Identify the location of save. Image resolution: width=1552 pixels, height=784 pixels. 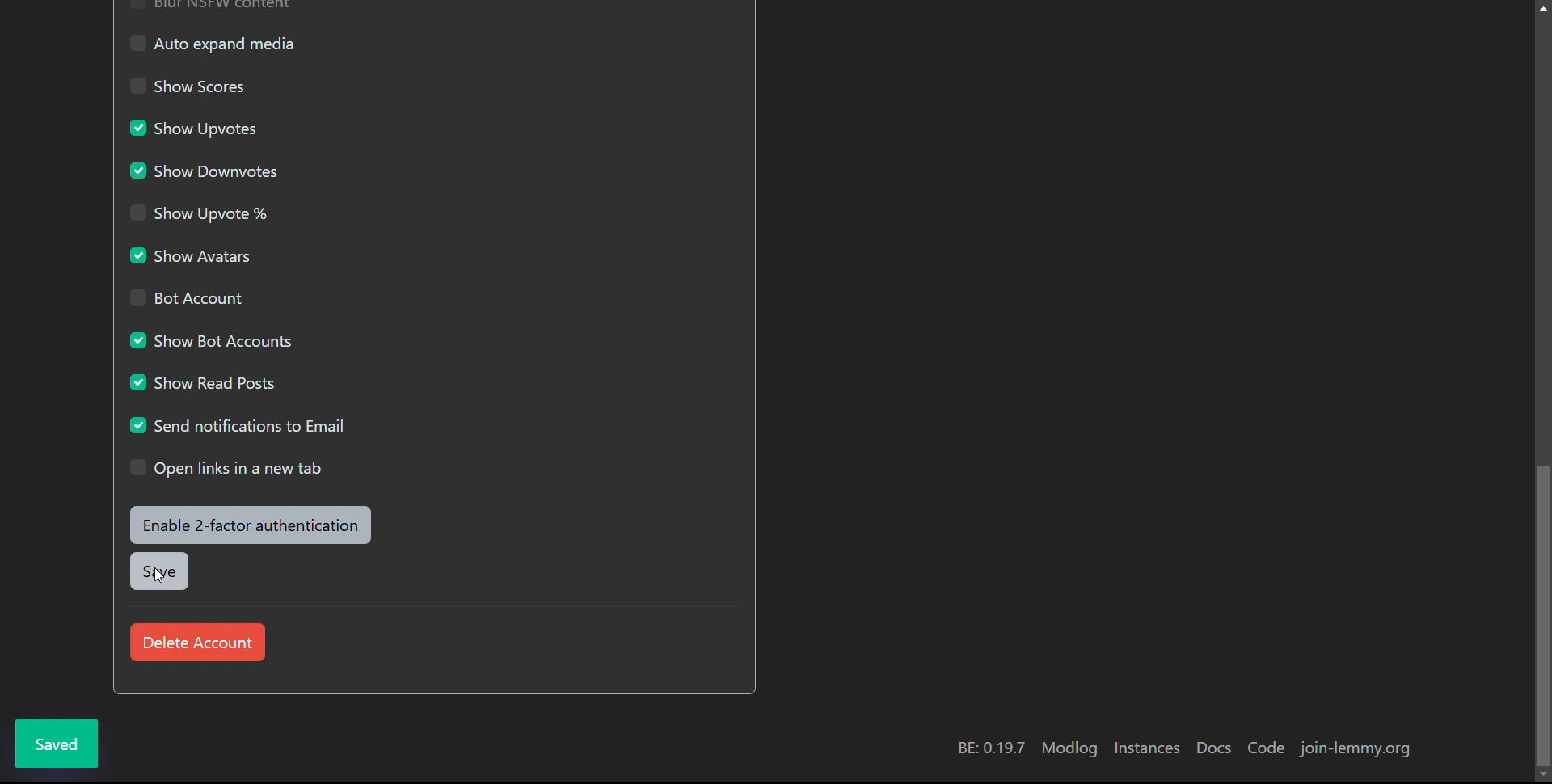
(158, 571).